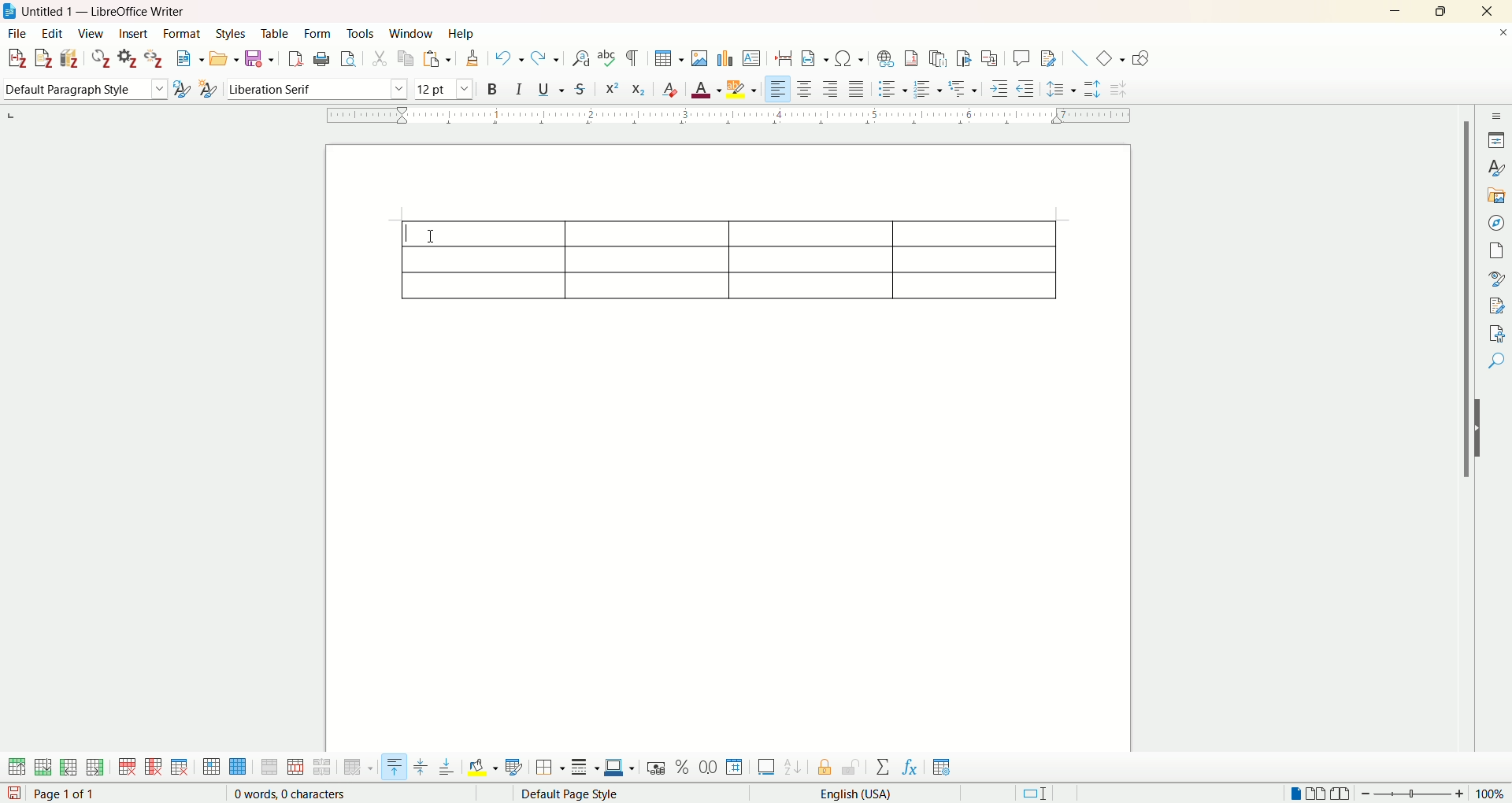 The image size is (1512, 803). Describe the element at coordinates (1027, 91) in the screenshot. I see `decrease indent` at that location.